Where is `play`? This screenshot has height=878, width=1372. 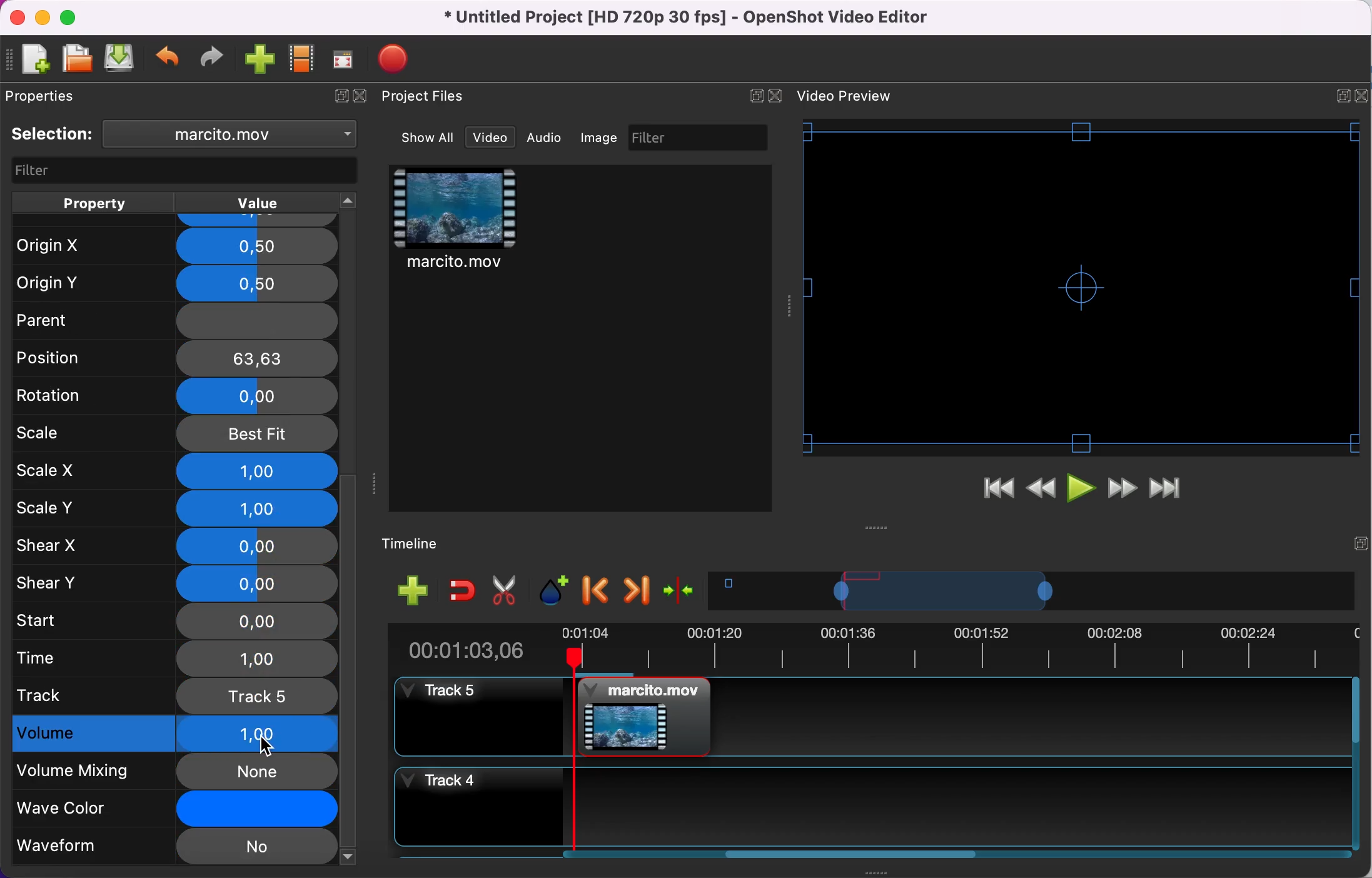
play is located at coordinates (1083, 491).